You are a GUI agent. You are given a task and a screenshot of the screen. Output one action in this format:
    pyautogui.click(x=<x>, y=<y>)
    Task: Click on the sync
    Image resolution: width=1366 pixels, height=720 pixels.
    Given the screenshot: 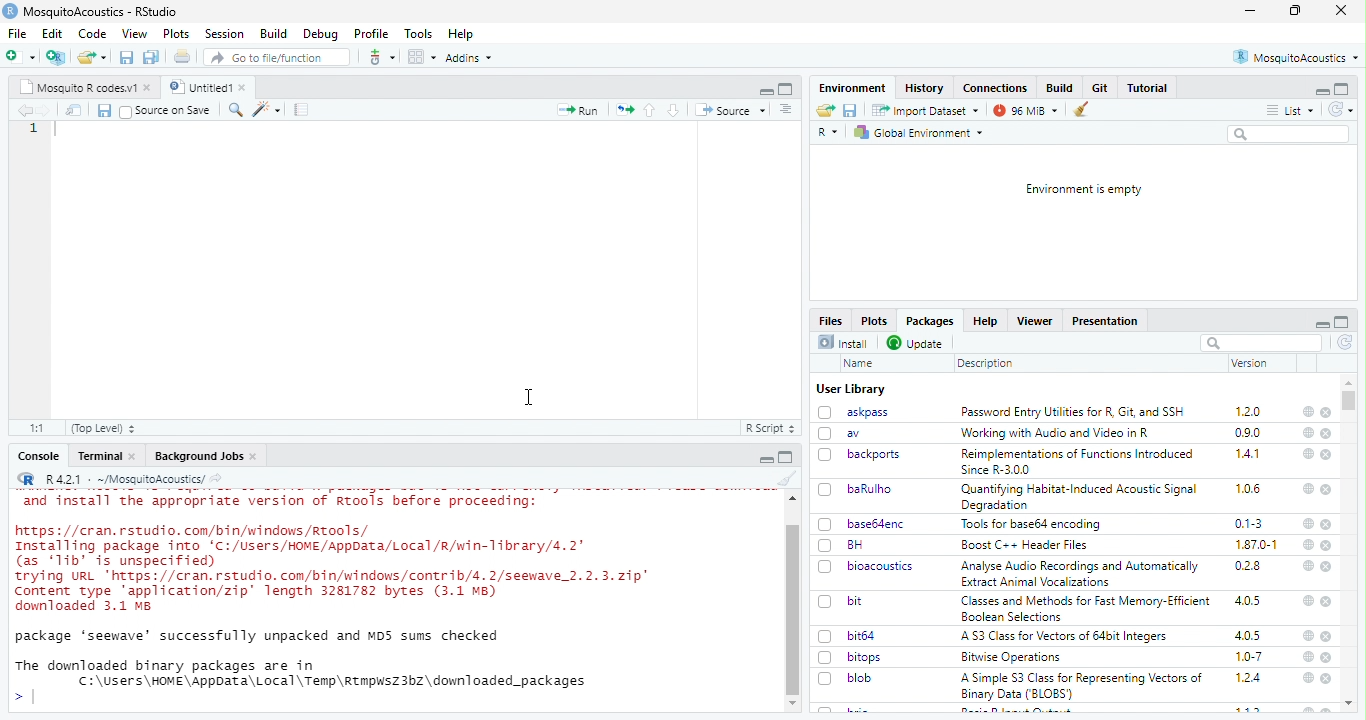 What is the action you would take?
    pyautogui.click(x=1340, y=110)
    